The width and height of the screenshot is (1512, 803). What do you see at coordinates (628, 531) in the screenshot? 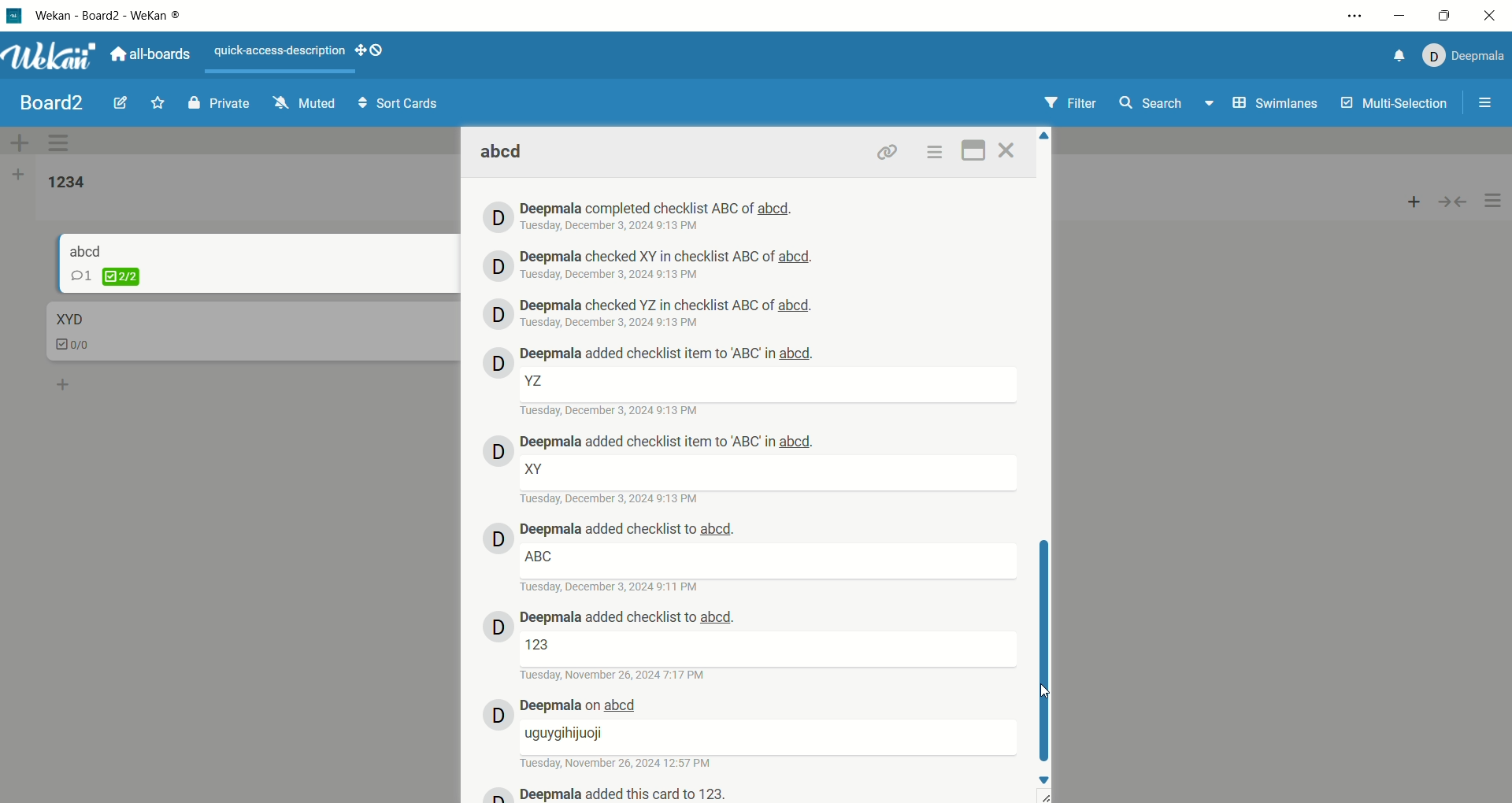
I see `deepmala history` at bounding box center [628, 531].